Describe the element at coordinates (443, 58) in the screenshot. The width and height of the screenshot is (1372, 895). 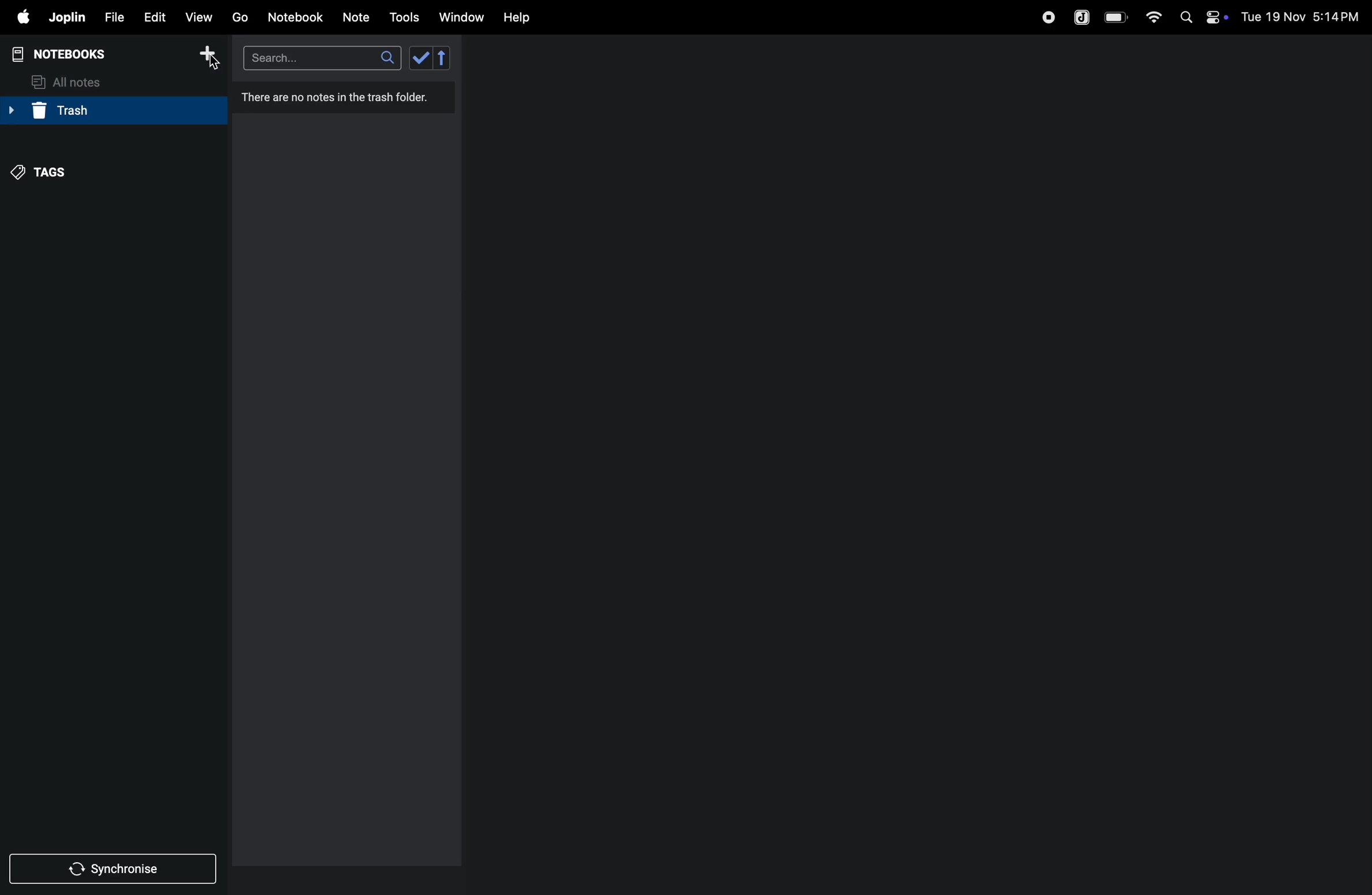
I see `reverse sort order` at that location.